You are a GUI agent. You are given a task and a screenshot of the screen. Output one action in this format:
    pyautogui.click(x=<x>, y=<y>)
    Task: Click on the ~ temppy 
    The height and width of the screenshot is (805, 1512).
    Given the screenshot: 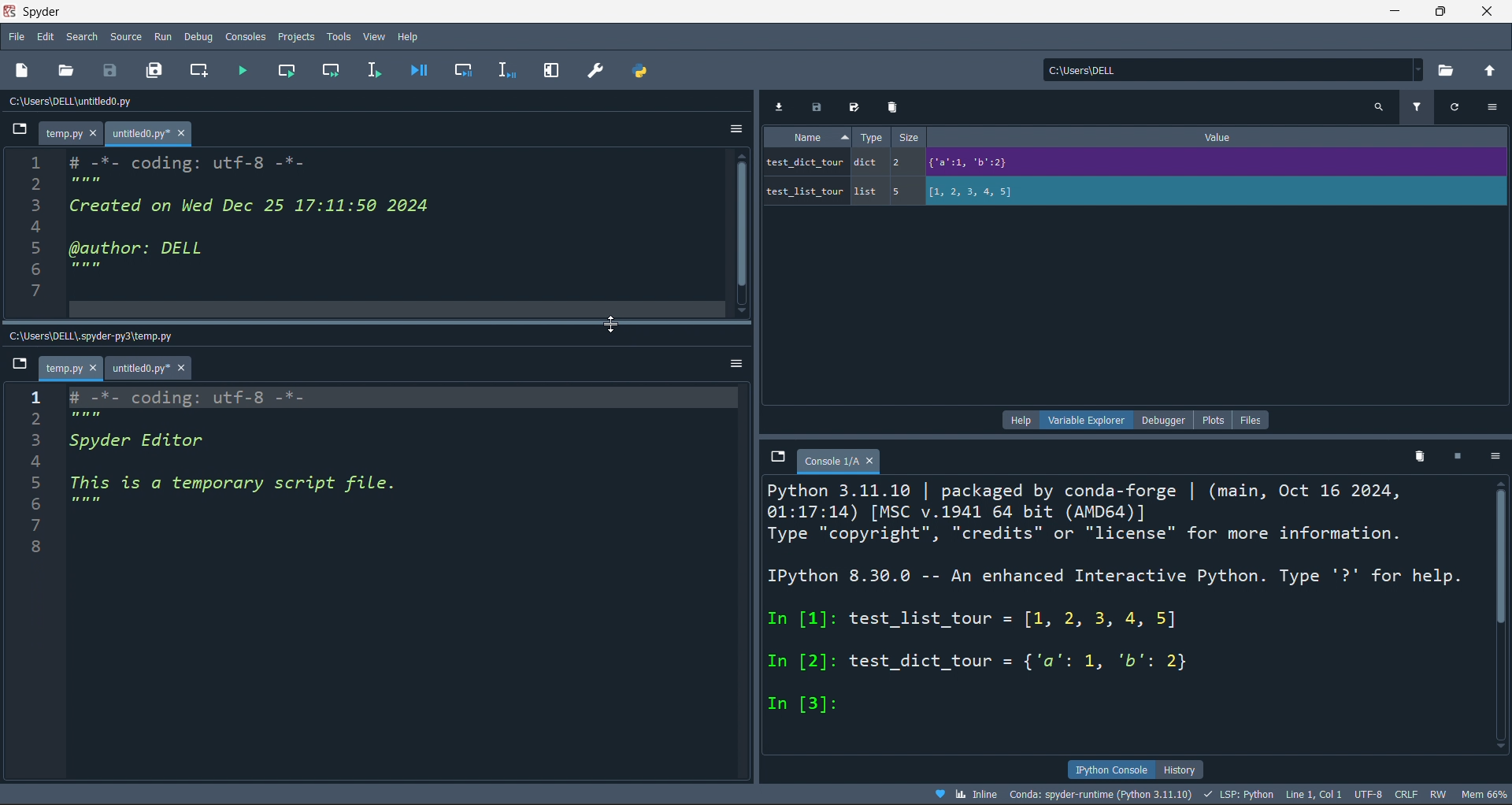 What is the action you would take?
    pyautogui.click(x=69, y=369)
    